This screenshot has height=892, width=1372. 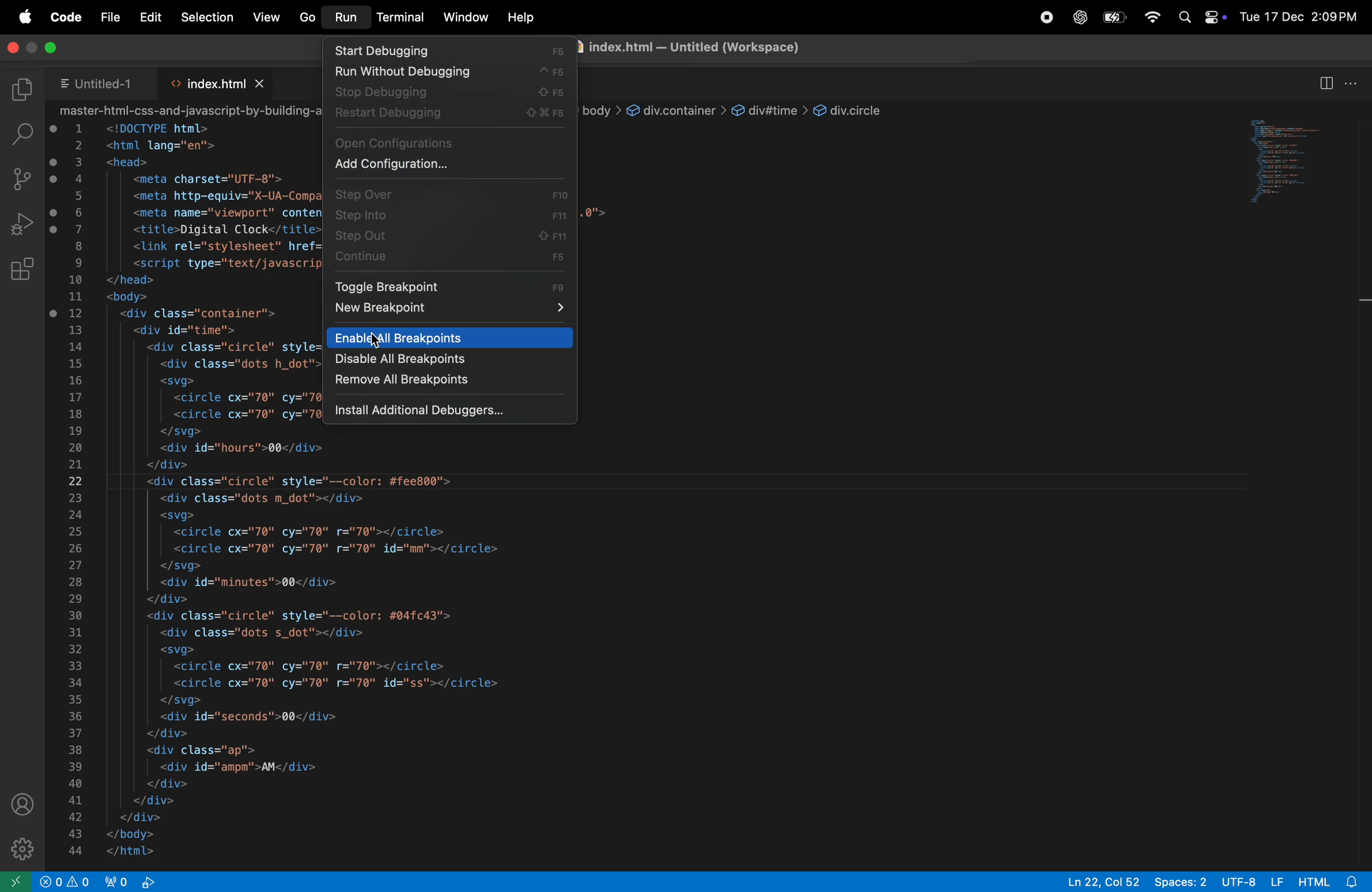 What do you see at coordinates (307, 18) in the screenshot?
I see `Go` at bounding box center [307, 18].